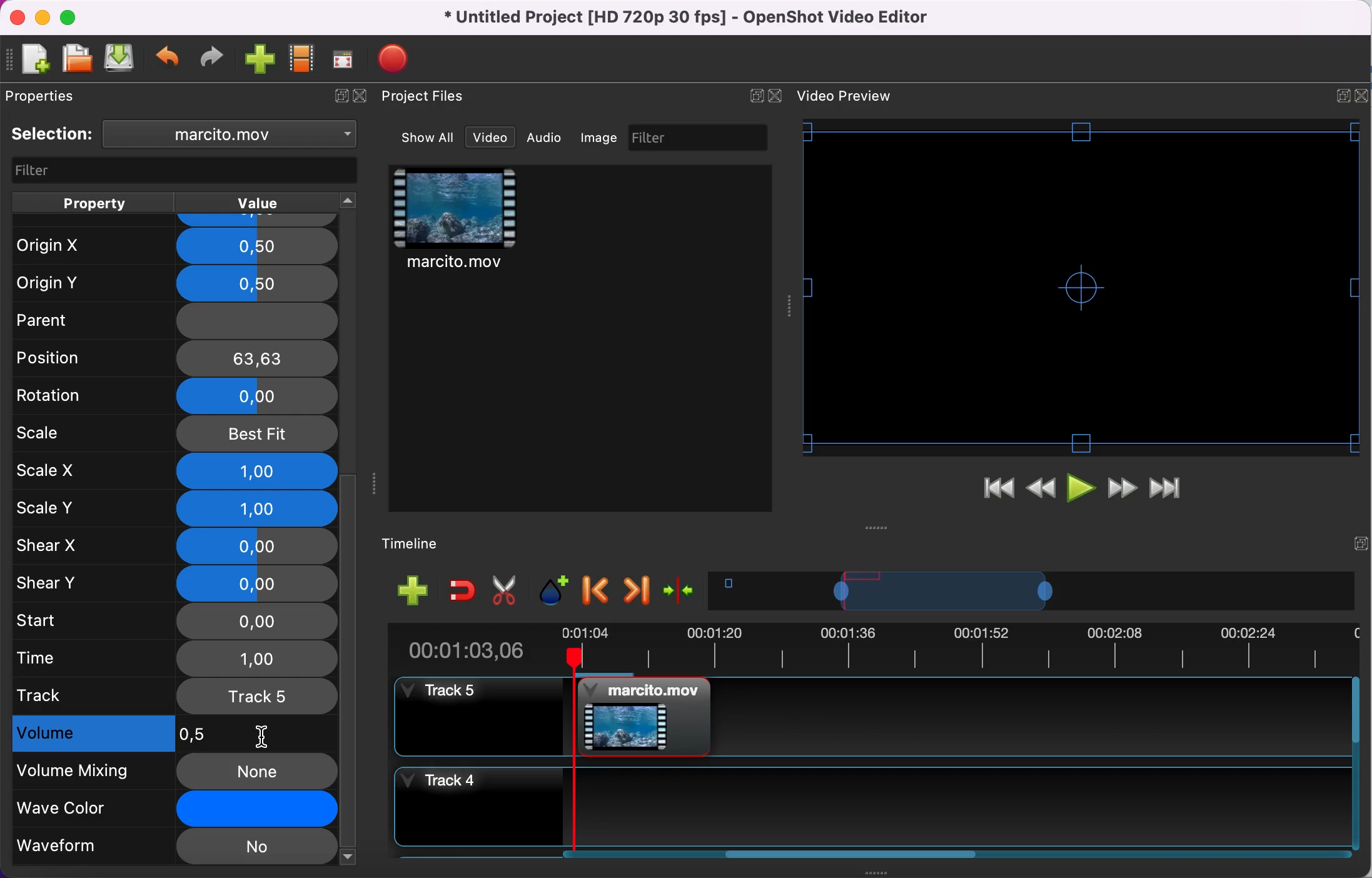 The width and height of the screenshot is (1372, 878). What do you see at coordinates (173, 317) in the screenshot?
I see `Parent` at bounding box center [173, 317].